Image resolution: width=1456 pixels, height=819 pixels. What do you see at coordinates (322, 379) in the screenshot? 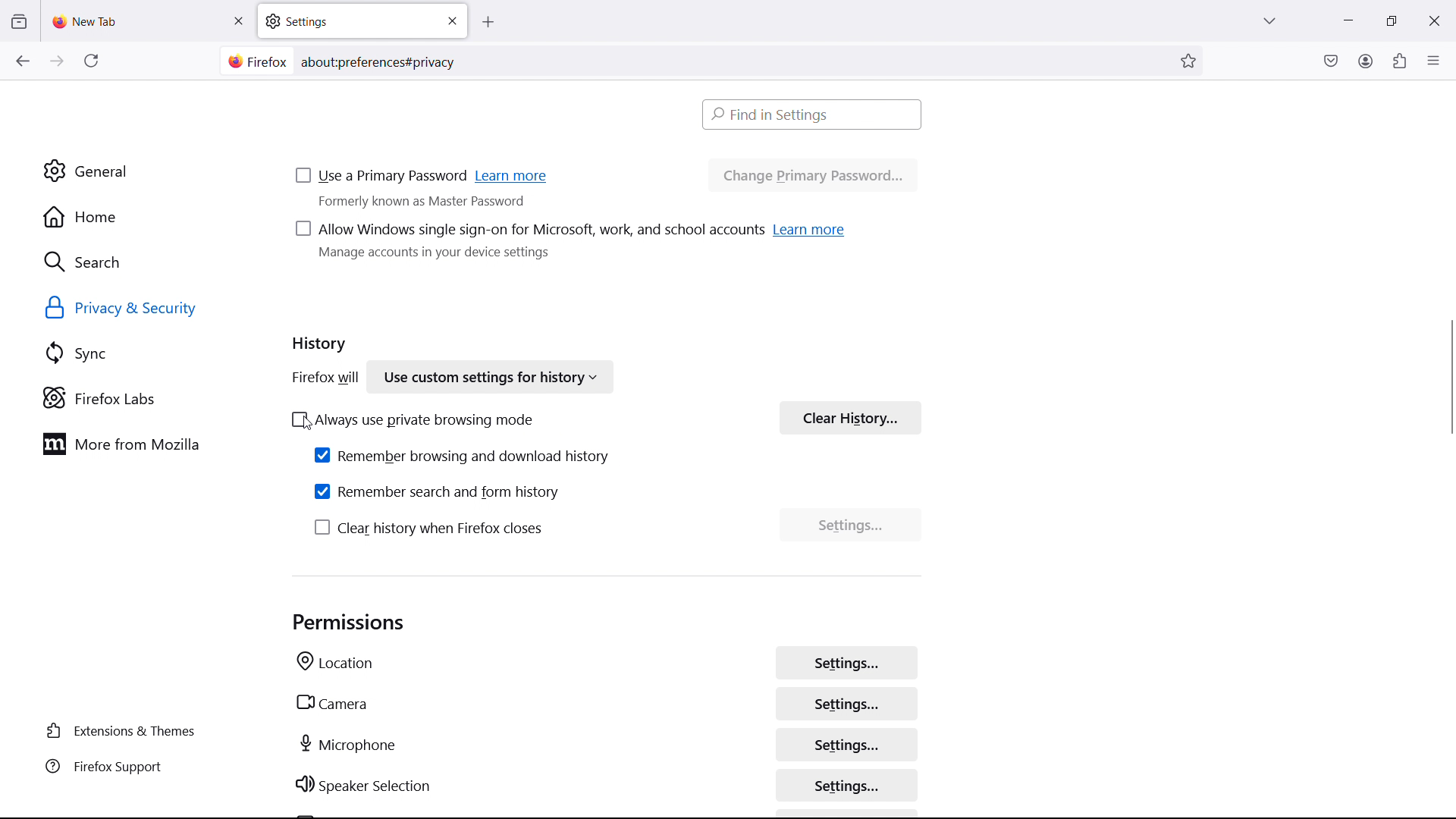
I see `Firefox wil` at bounding box center [322, 379].